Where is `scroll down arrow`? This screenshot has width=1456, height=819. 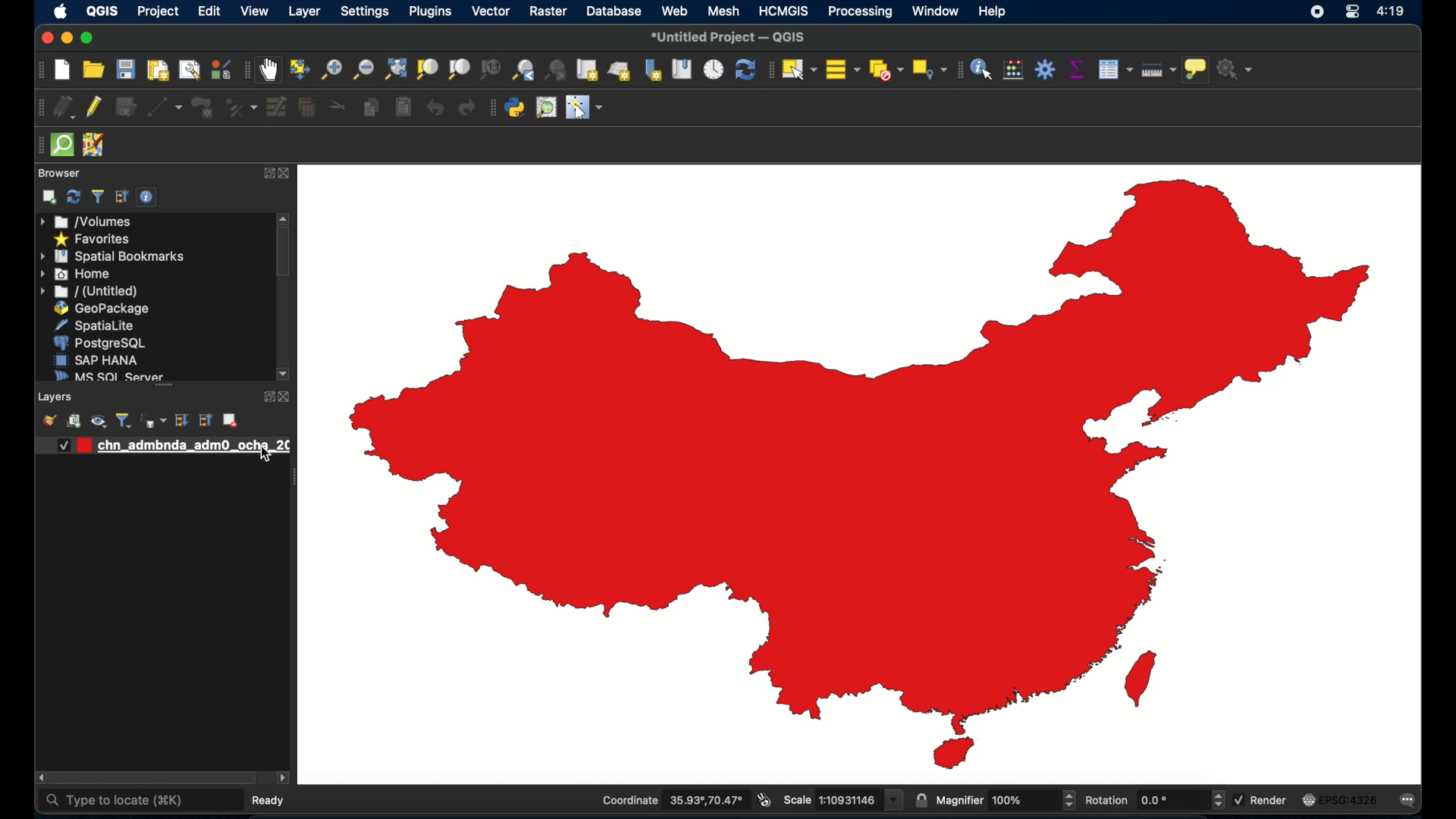 scroll down arrow is located at coordinates (284, 375).